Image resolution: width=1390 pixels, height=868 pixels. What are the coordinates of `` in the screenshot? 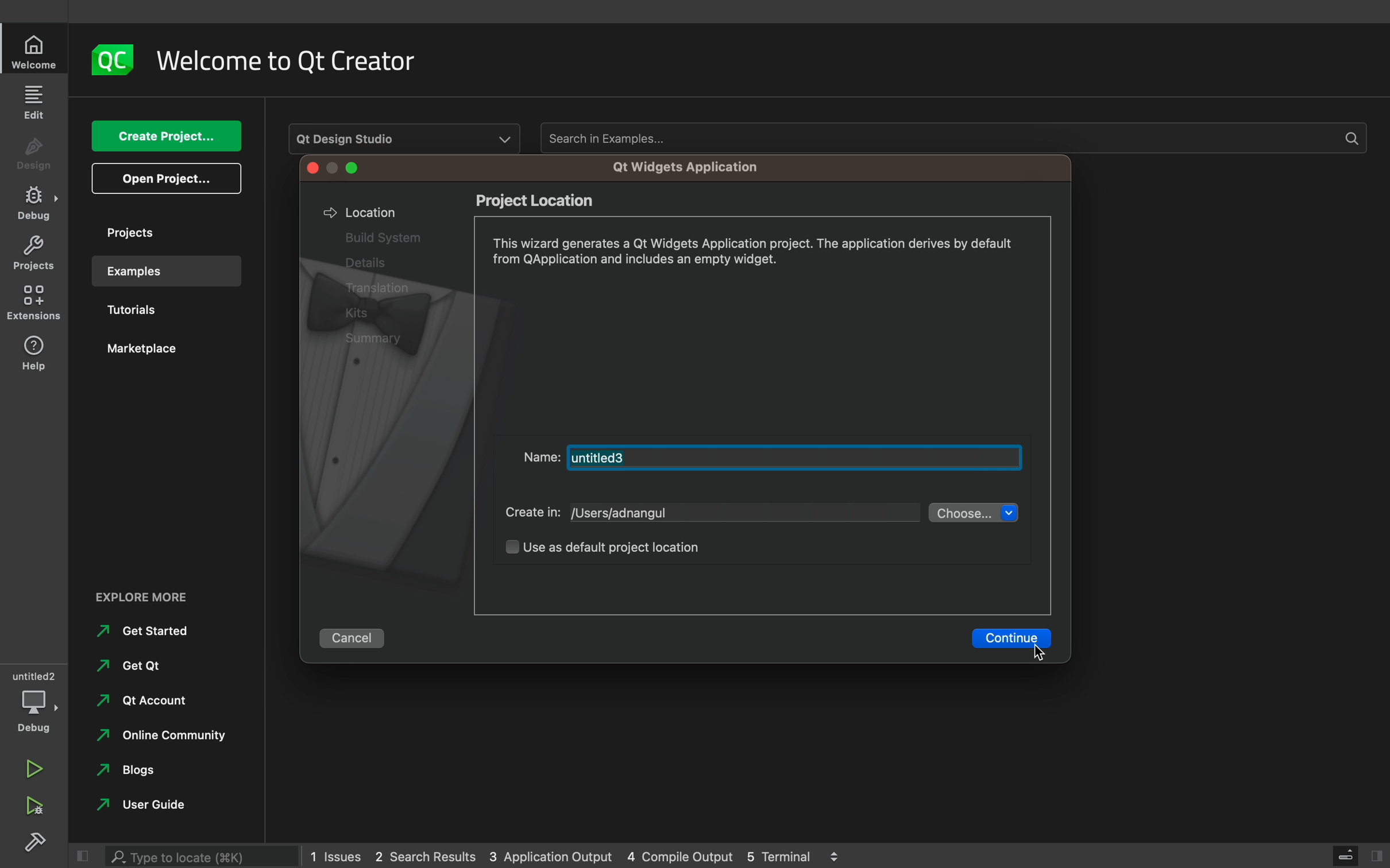 It's located at (34, 203).